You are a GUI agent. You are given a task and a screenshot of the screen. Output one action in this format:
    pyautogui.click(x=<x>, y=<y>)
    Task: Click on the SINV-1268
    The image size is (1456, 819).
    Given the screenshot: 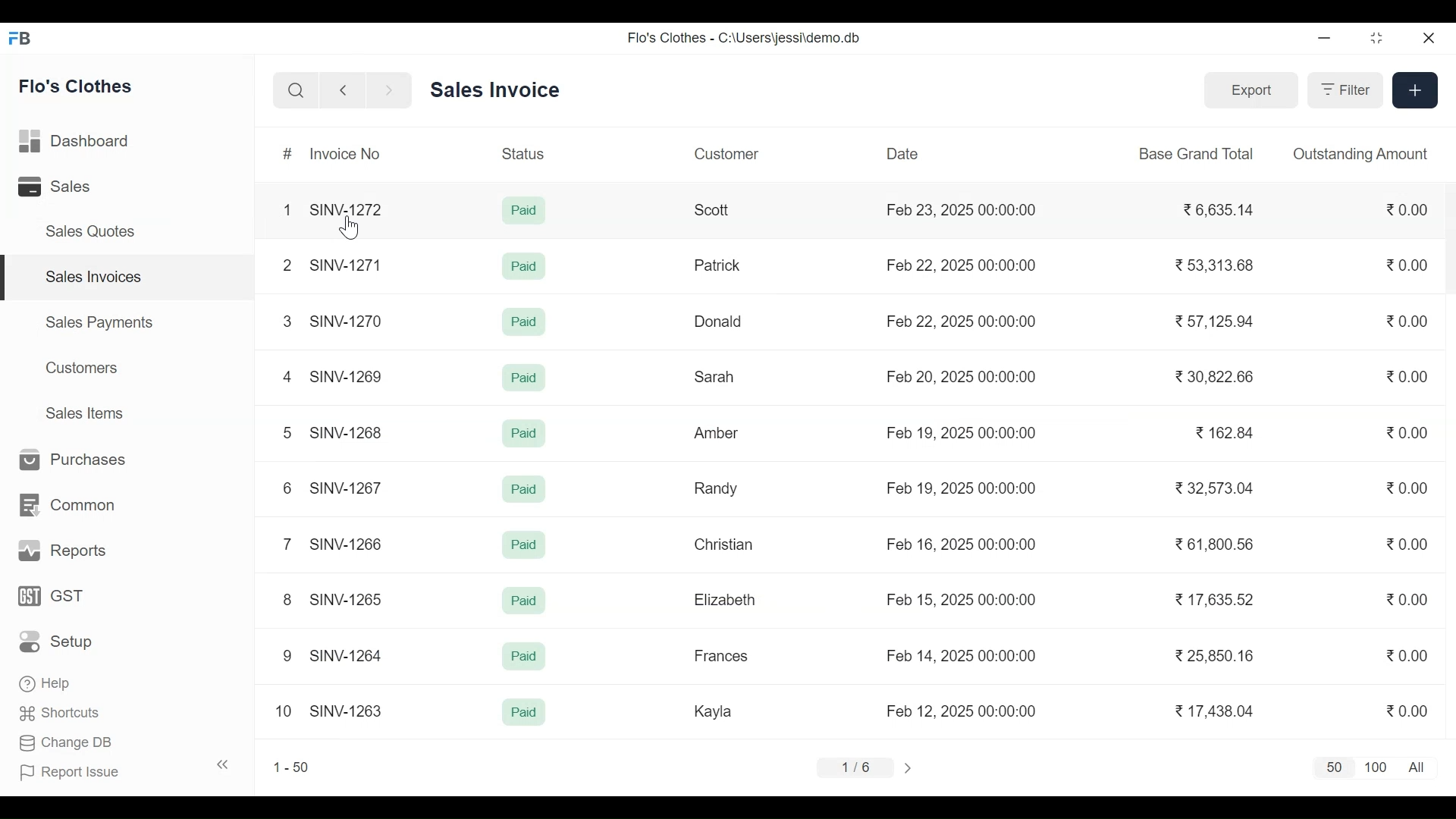 What is the action you would take?
    pyautogui.click(x=349, y=432)
    